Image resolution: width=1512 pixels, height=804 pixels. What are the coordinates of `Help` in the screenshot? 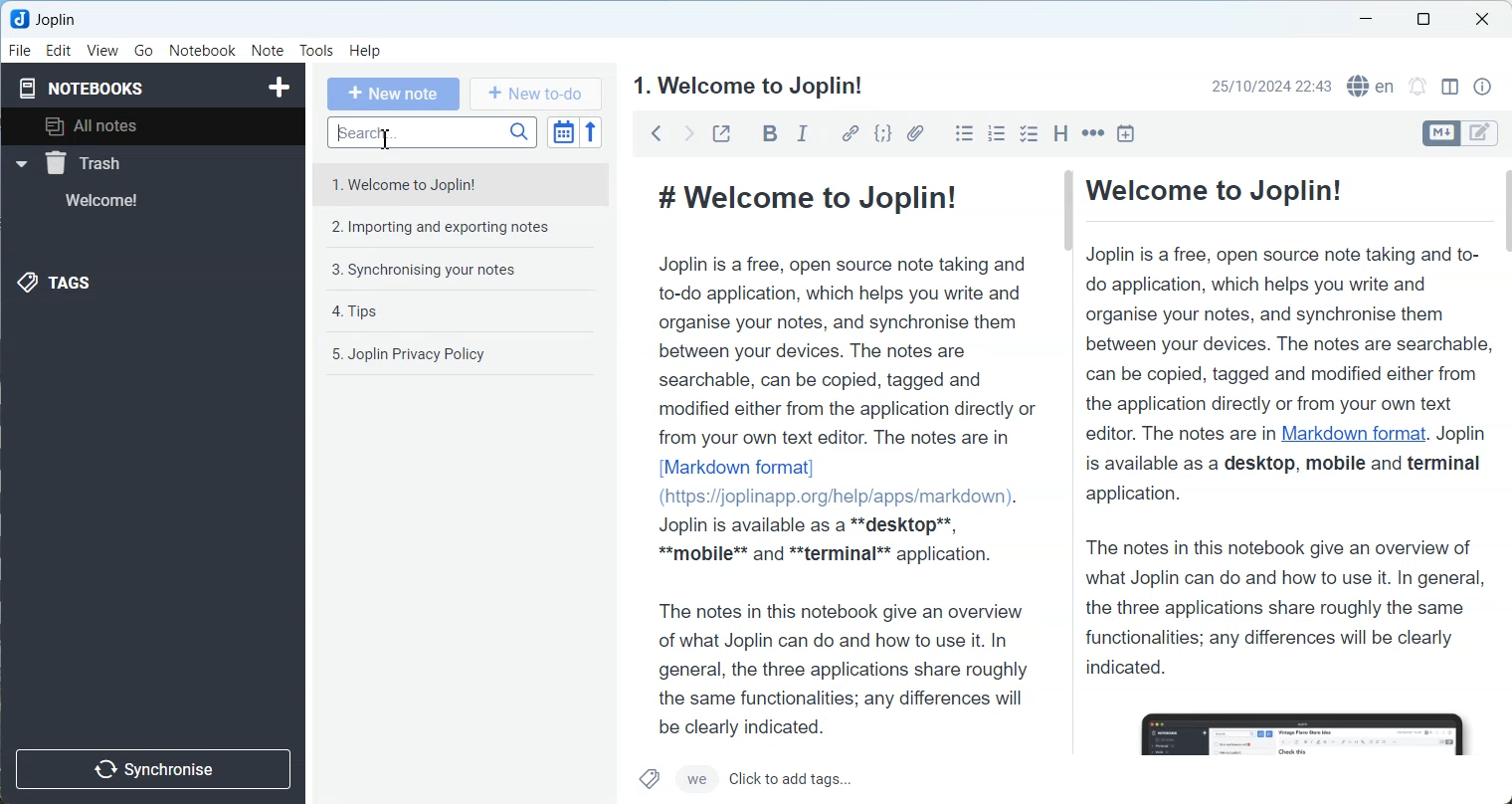 It's located at (365, 52).